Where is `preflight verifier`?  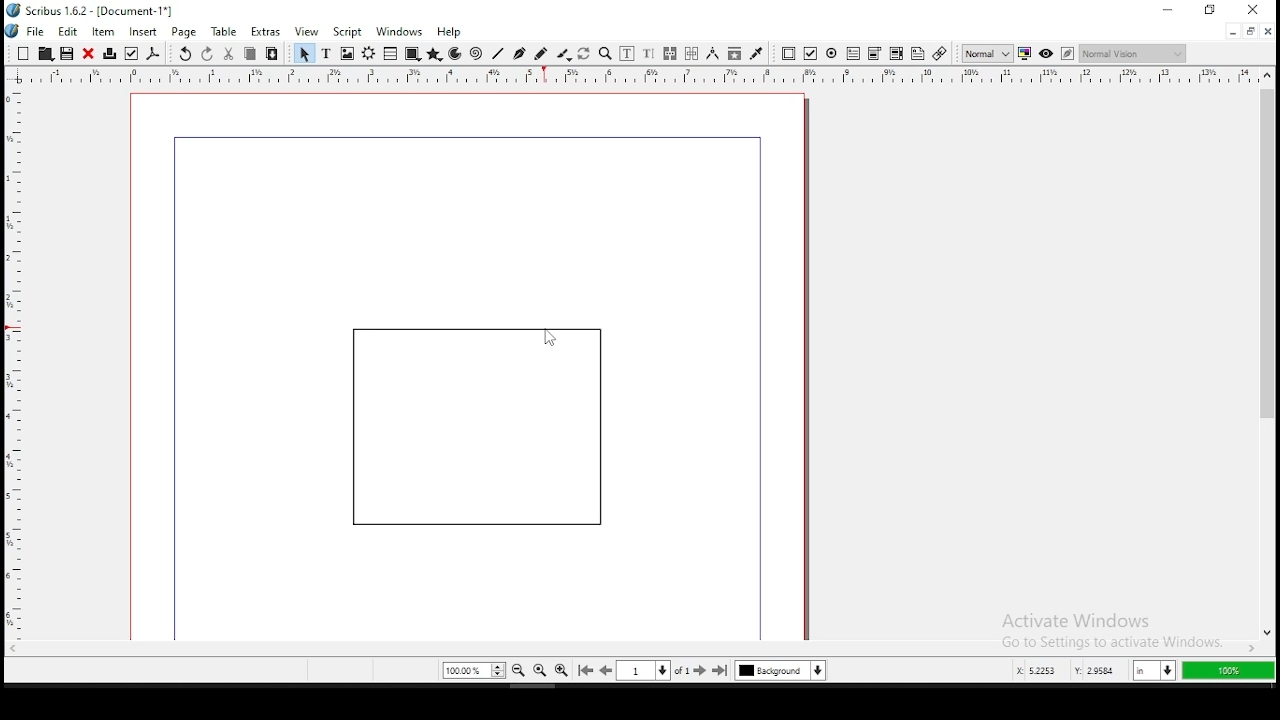
preflight verifier is located at coordinates (130, 54).